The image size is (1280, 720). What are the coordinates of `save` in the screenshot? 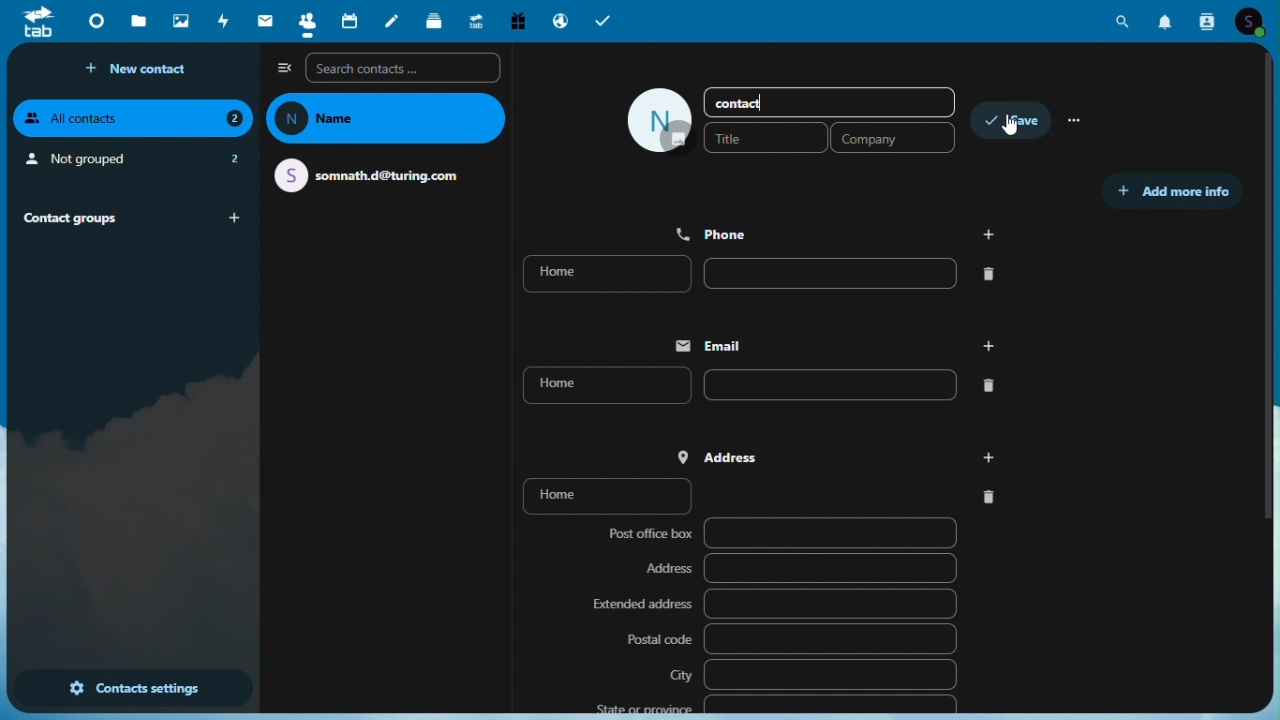 It's located at (1014, 123).